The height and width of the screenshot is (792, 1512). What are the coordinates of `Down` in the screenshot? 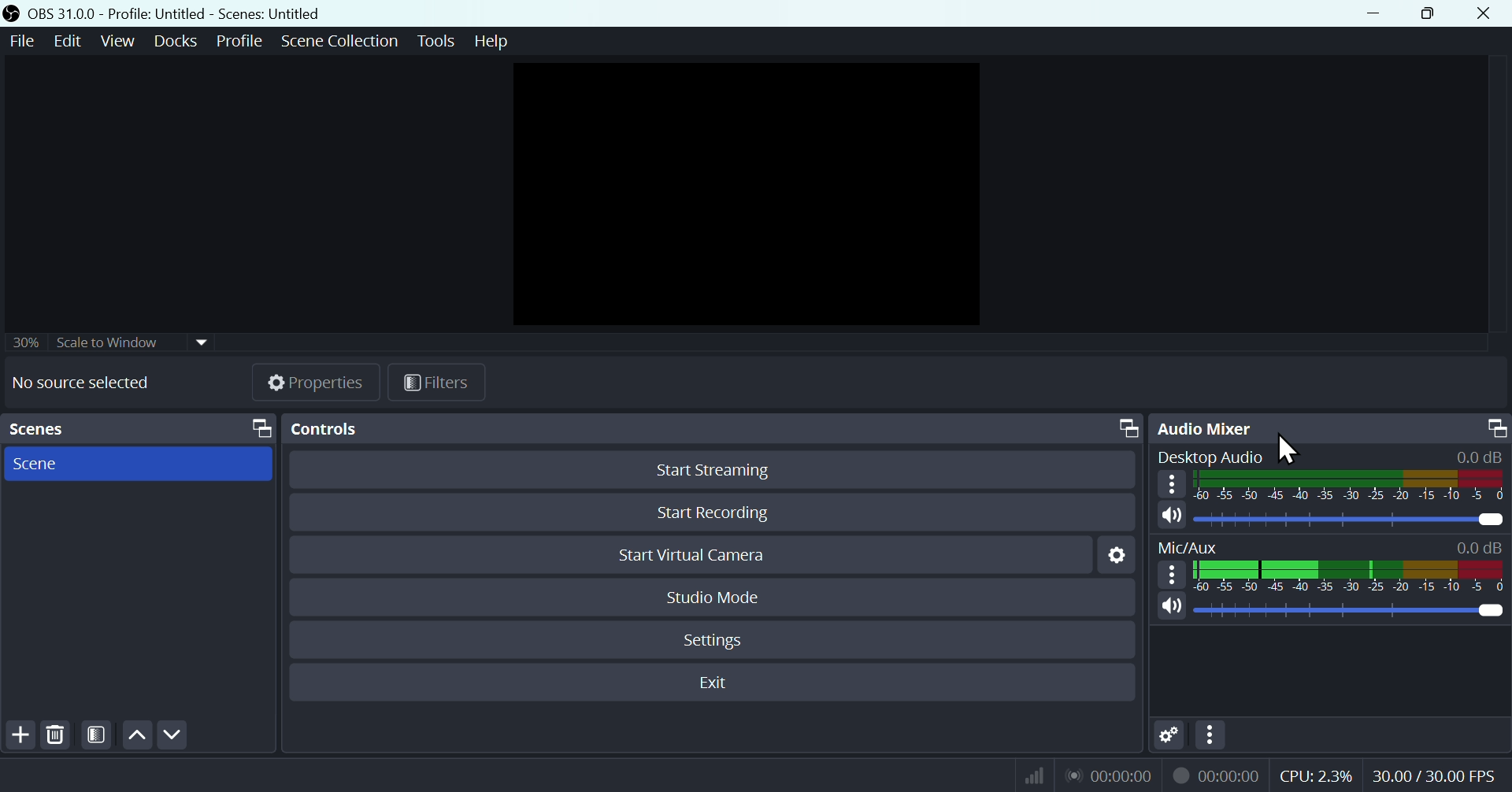 It's located at (172, 735).